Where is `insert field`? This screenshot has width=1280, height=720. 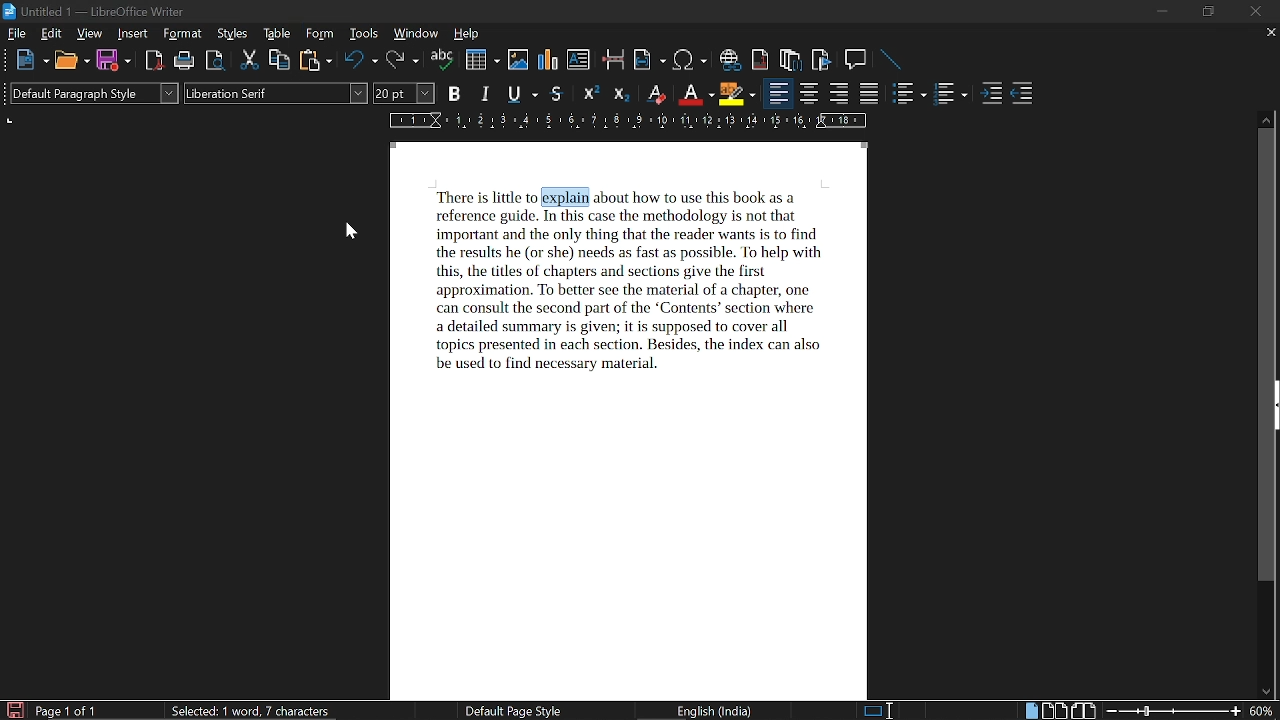
insert field is located at coordinates (650, 61).